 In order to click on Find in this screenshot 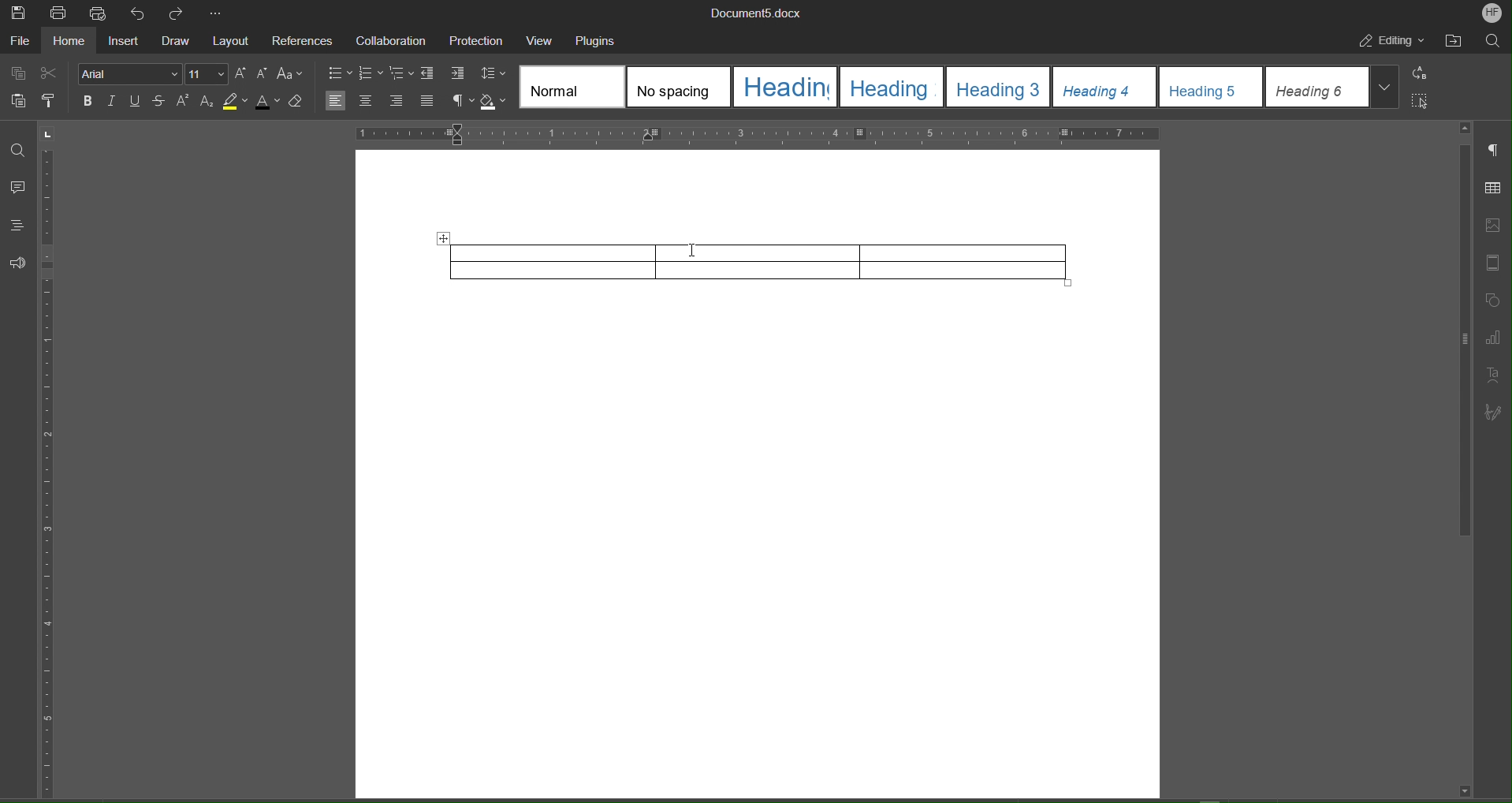, I will do `click(18, 151)`.